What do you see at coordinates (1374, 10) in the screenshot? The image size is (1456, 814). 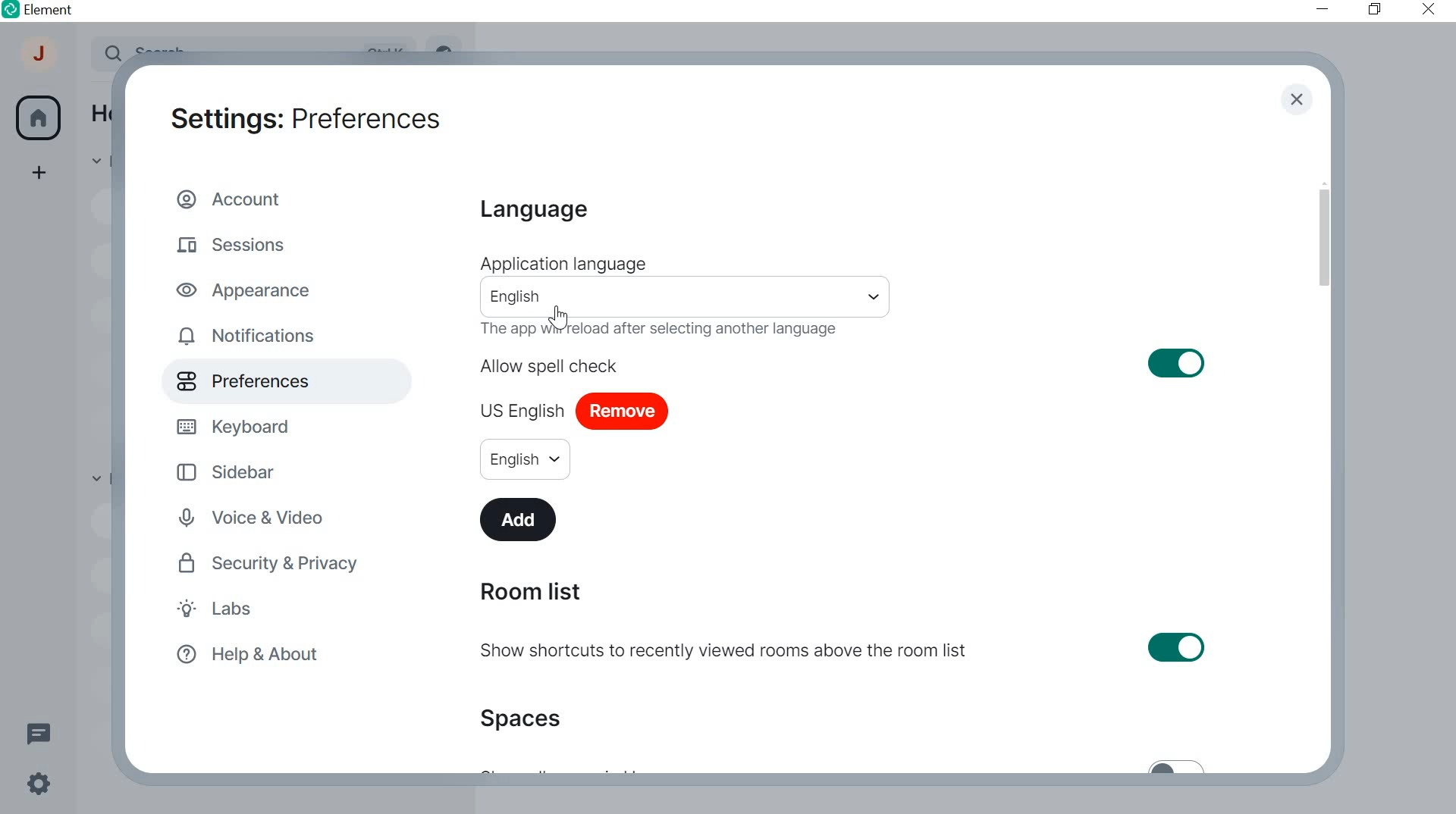 I see `RESTORE DOWN` at bounding box center [1374, 10].